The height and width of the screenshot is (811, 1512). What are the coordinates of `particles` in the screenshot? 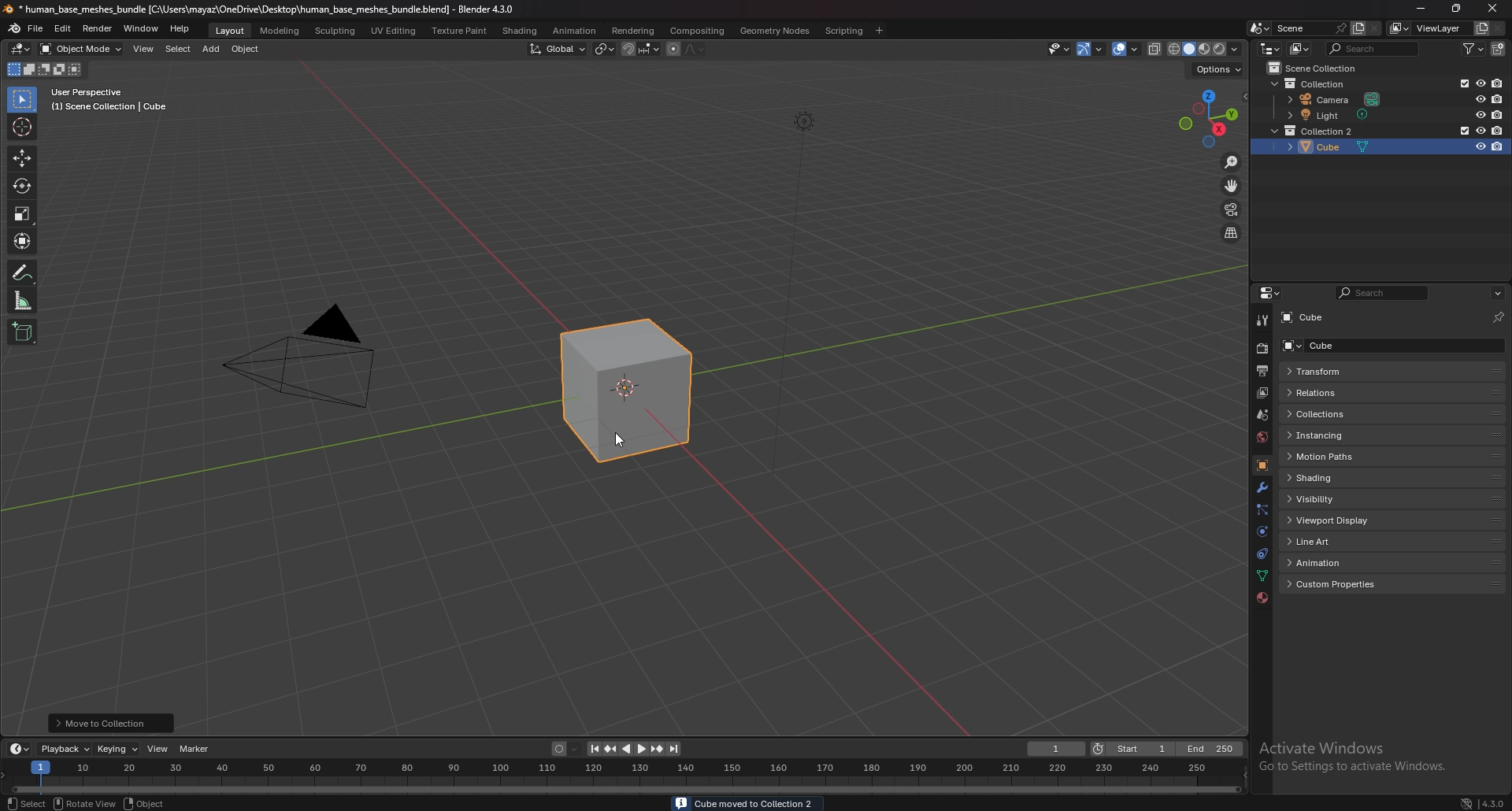 It's located at (1262, 510).